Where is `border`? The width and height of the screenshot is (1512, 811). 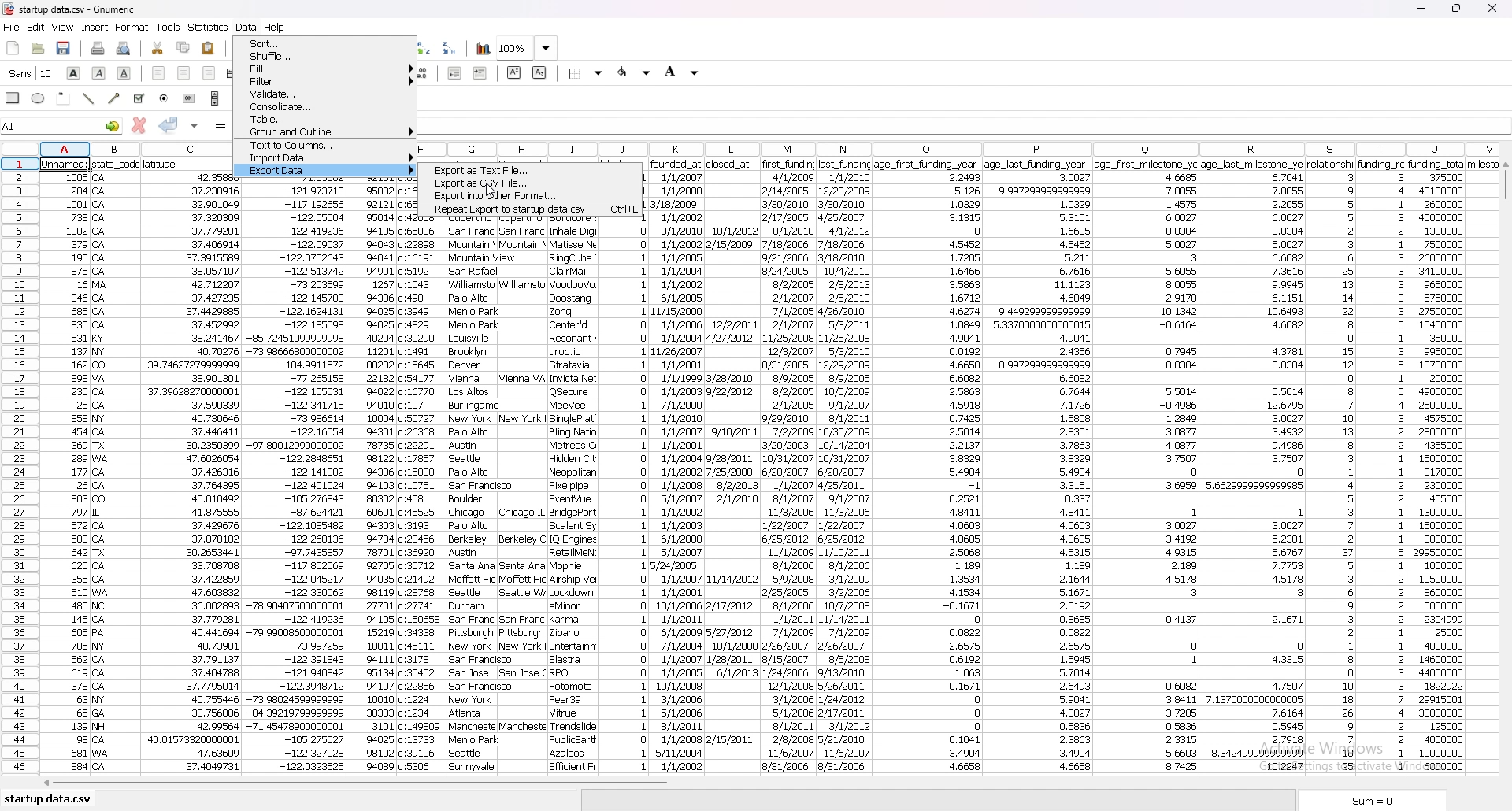 border is located at coordinates (587, 72).